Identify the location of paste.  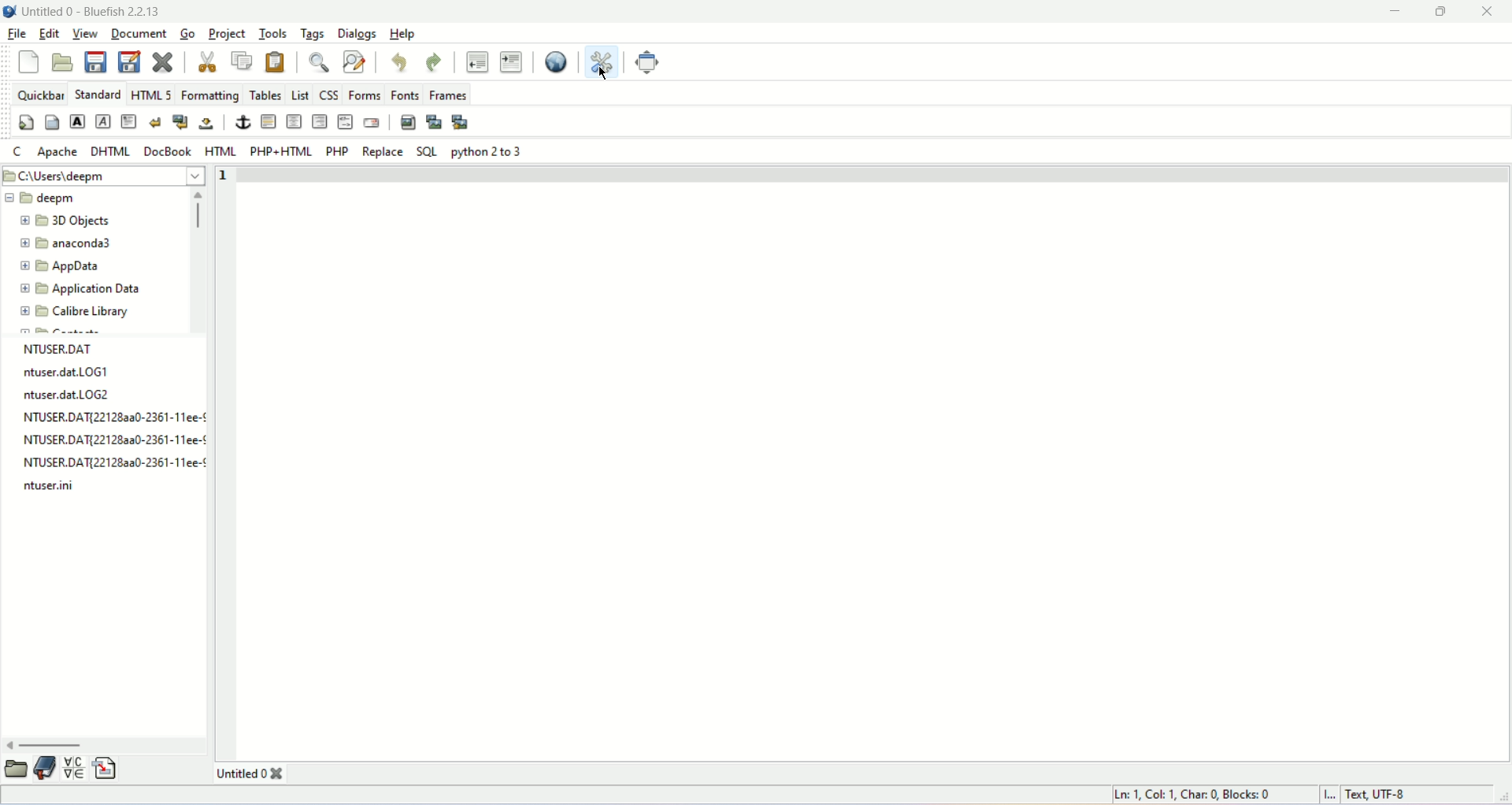
(278, 61).